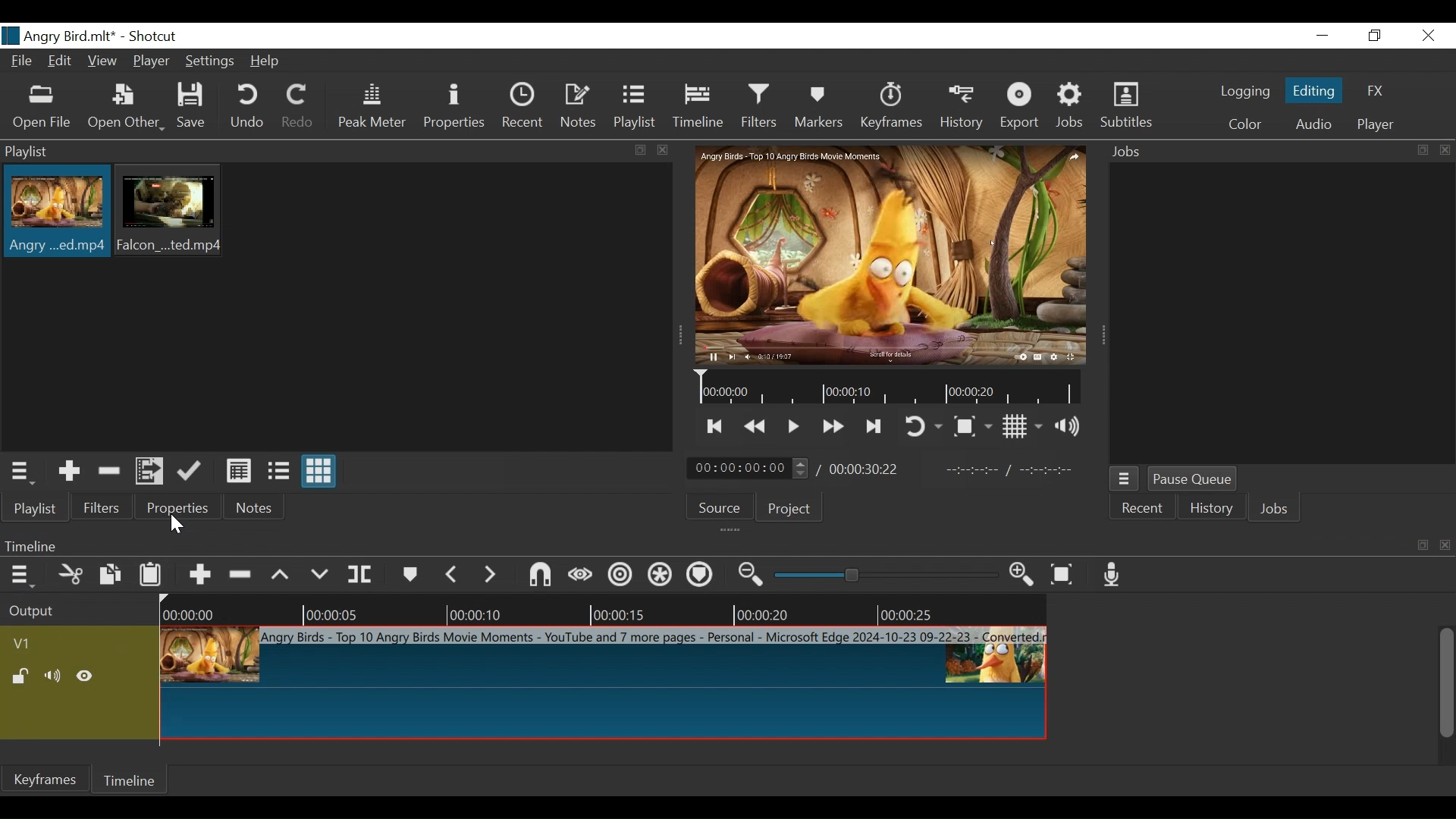 Image resolution: width=1456 pixels, height=819 pixels. I want to click on History, so click(962, 109).